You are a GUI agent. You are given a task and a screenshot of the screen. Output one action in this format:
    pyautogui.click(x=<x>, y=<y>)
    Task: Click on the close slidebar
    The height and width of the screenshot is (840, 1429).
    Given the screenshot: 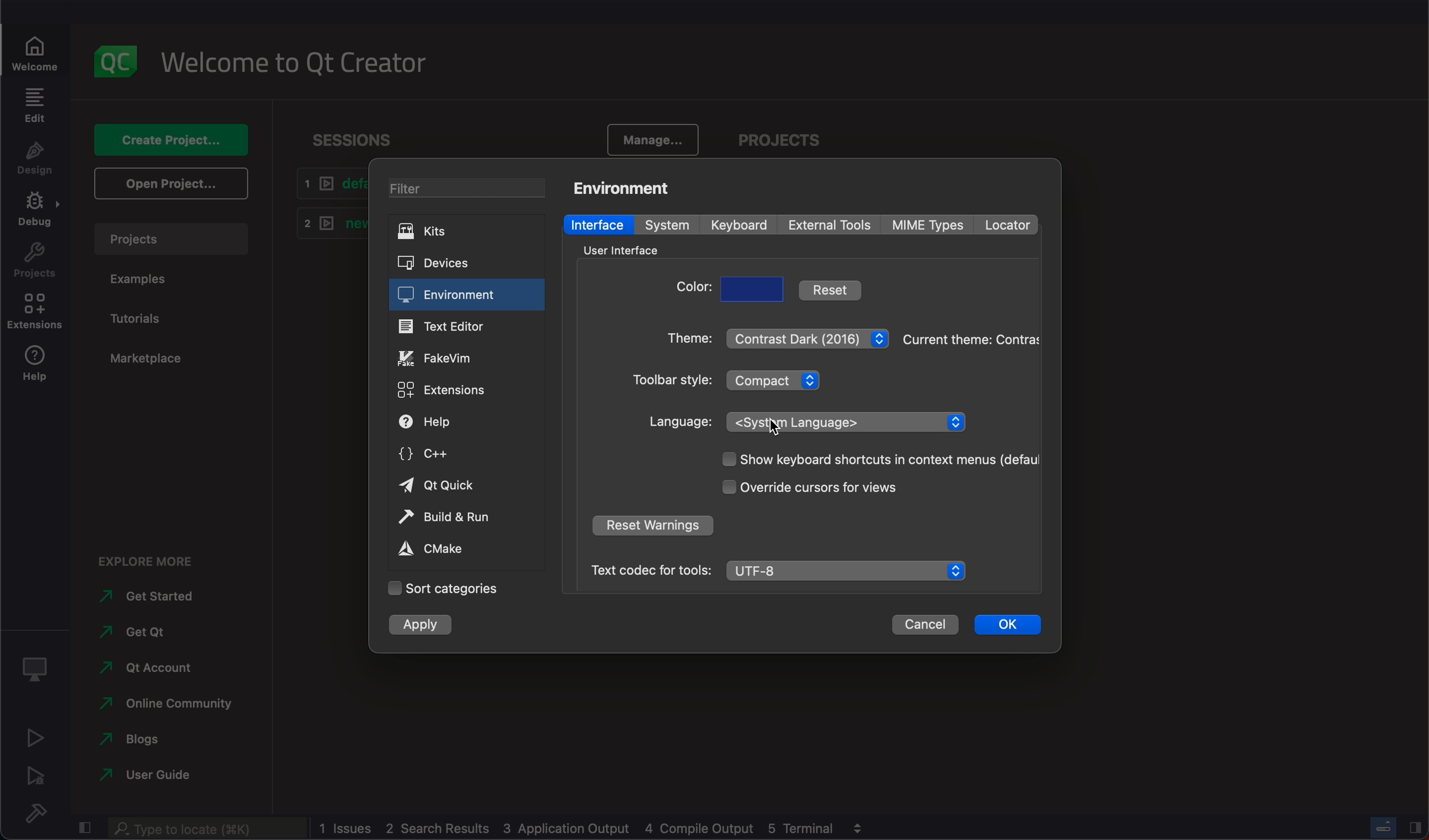 What is the action you would take?
    pyautogui.click(x=84, y=826)
    